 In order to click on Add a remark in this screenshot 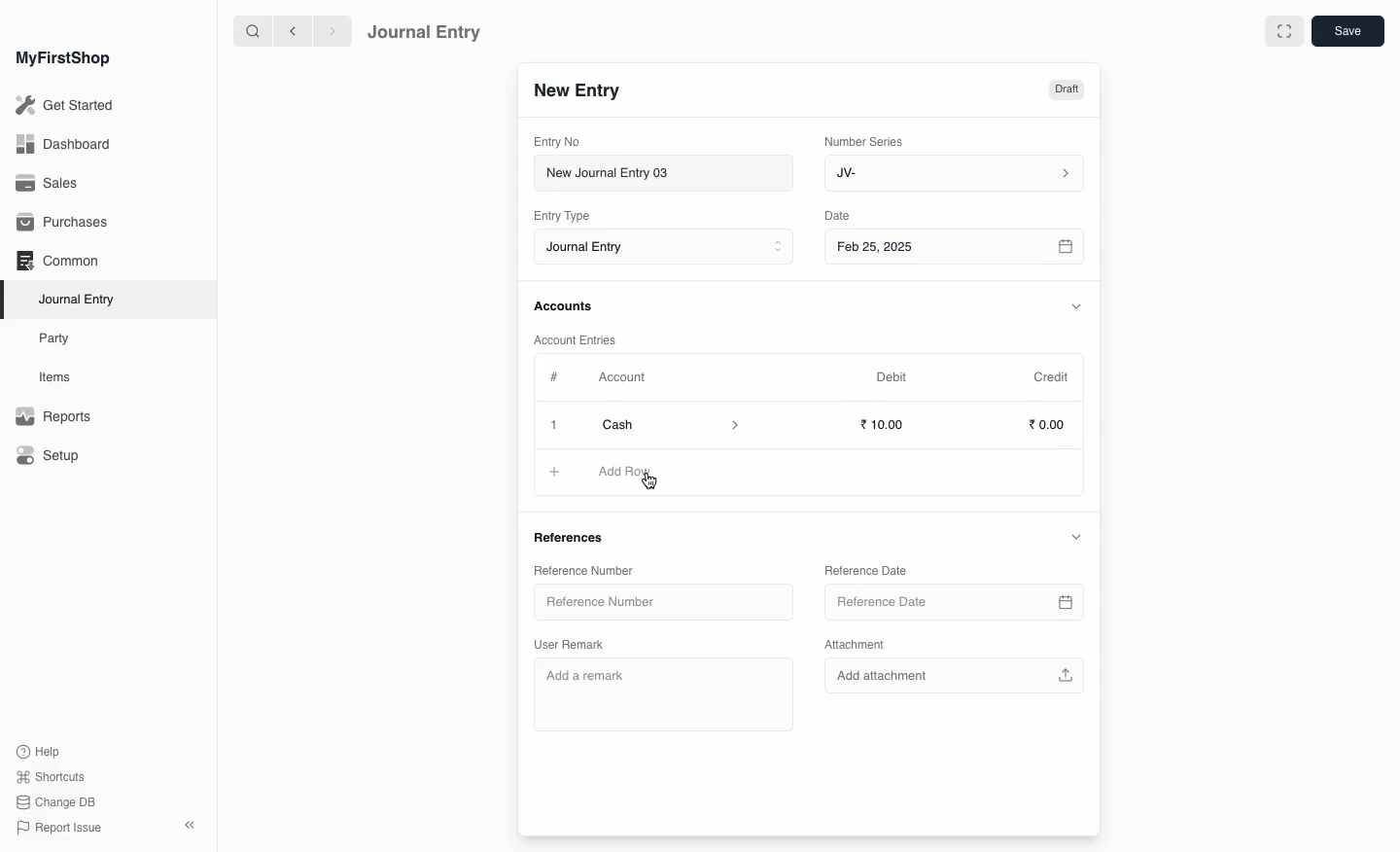, I will do `click(663, 693)`.